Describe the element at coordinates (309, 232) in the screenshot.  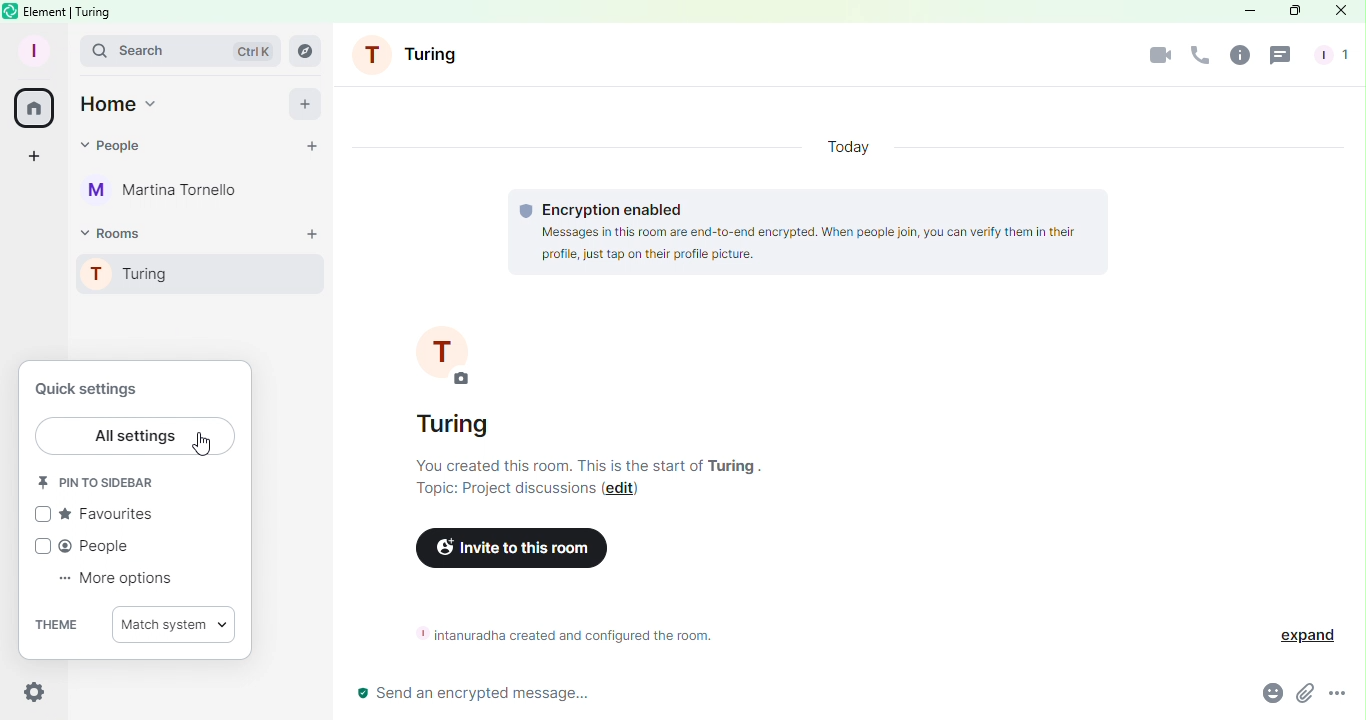
I see `Add room` at that location.